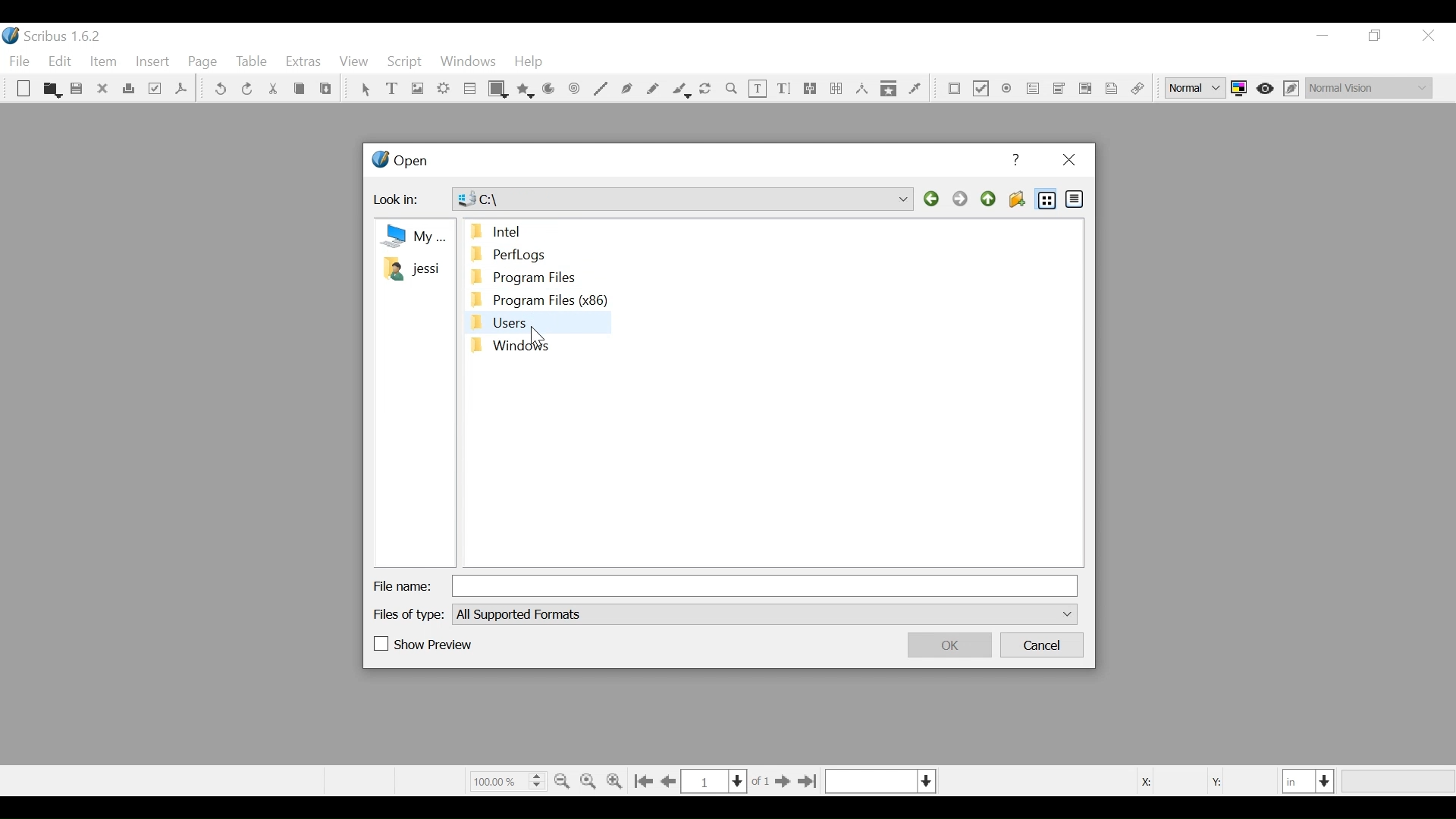  I want to click on Go to the last page, so click(807, 782).